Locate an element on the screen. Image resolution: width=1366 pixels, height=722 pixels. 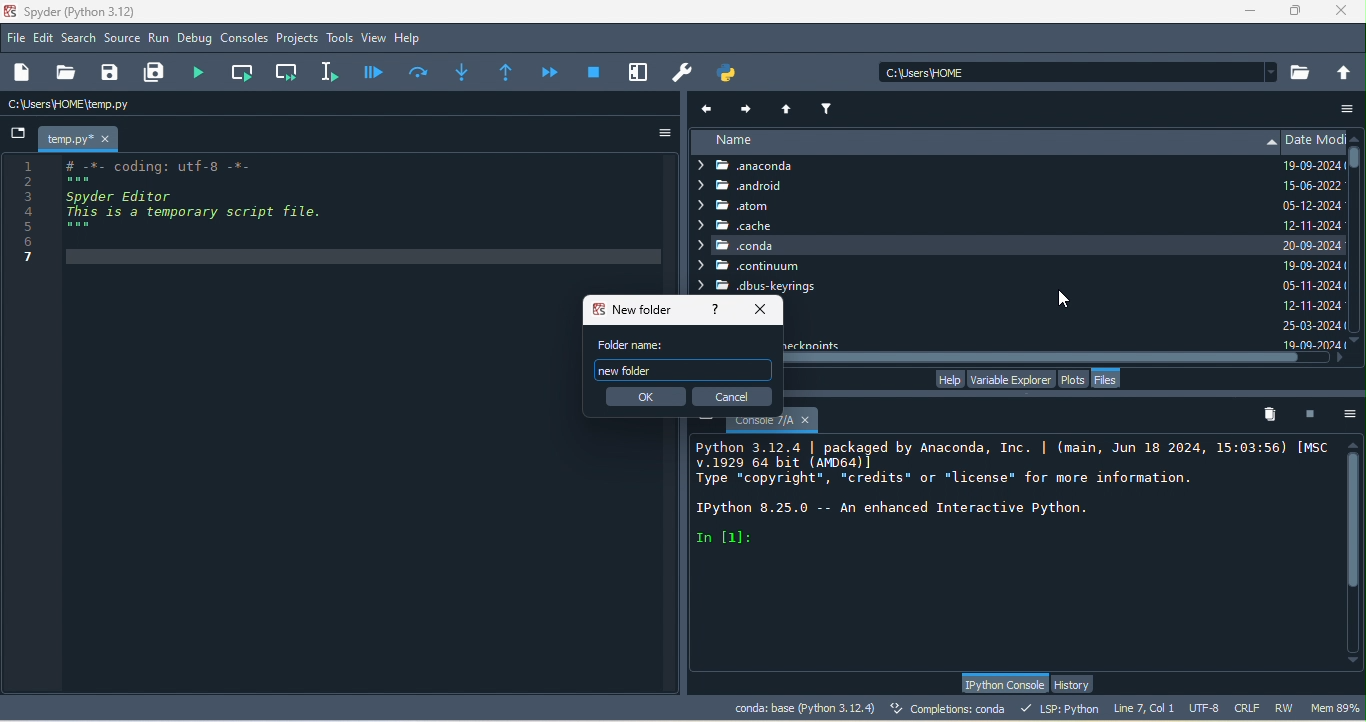
method returns is located at coordinates (508, 73).